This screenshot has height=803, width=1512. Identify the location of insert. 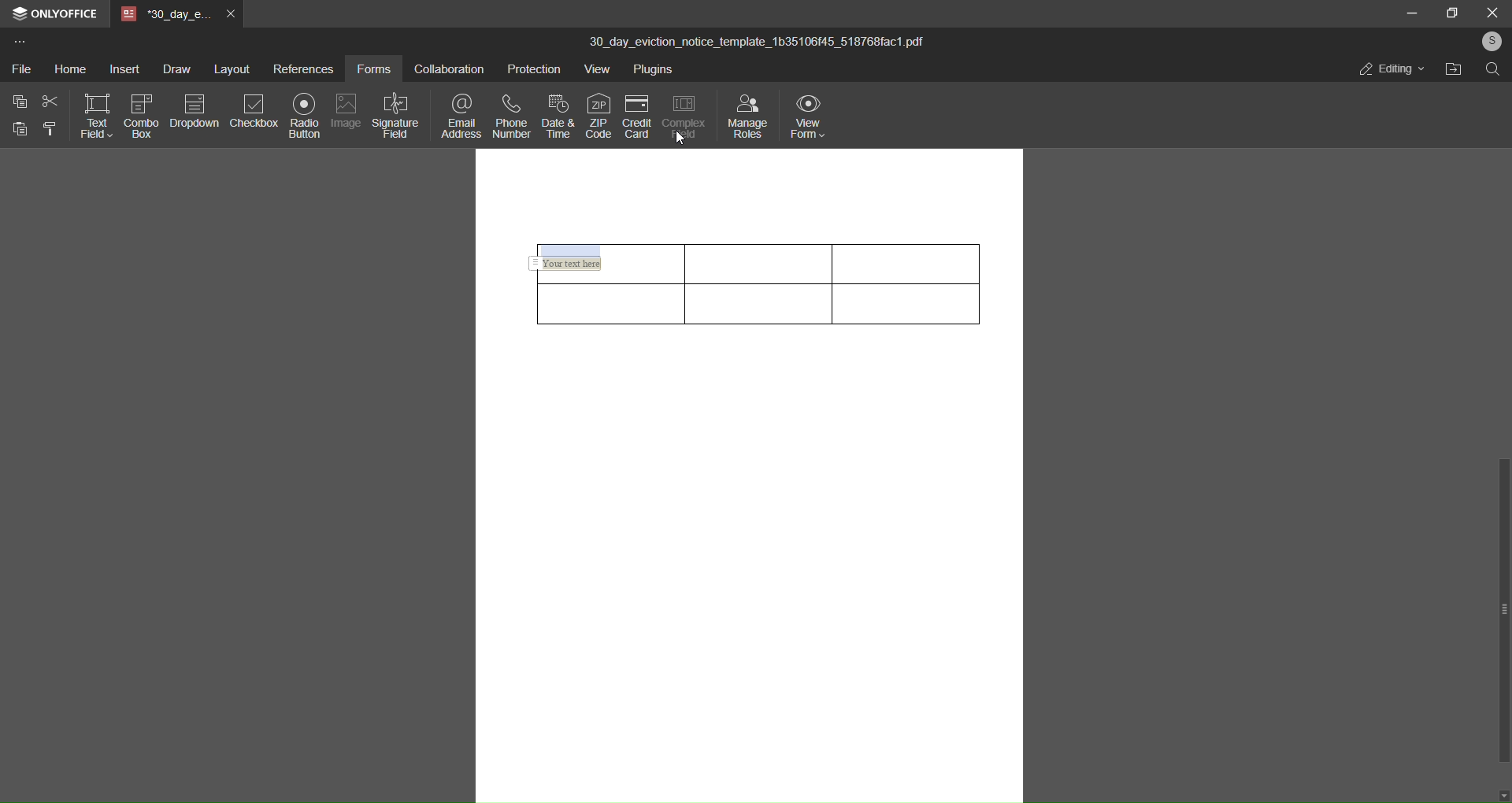
(124, 70).